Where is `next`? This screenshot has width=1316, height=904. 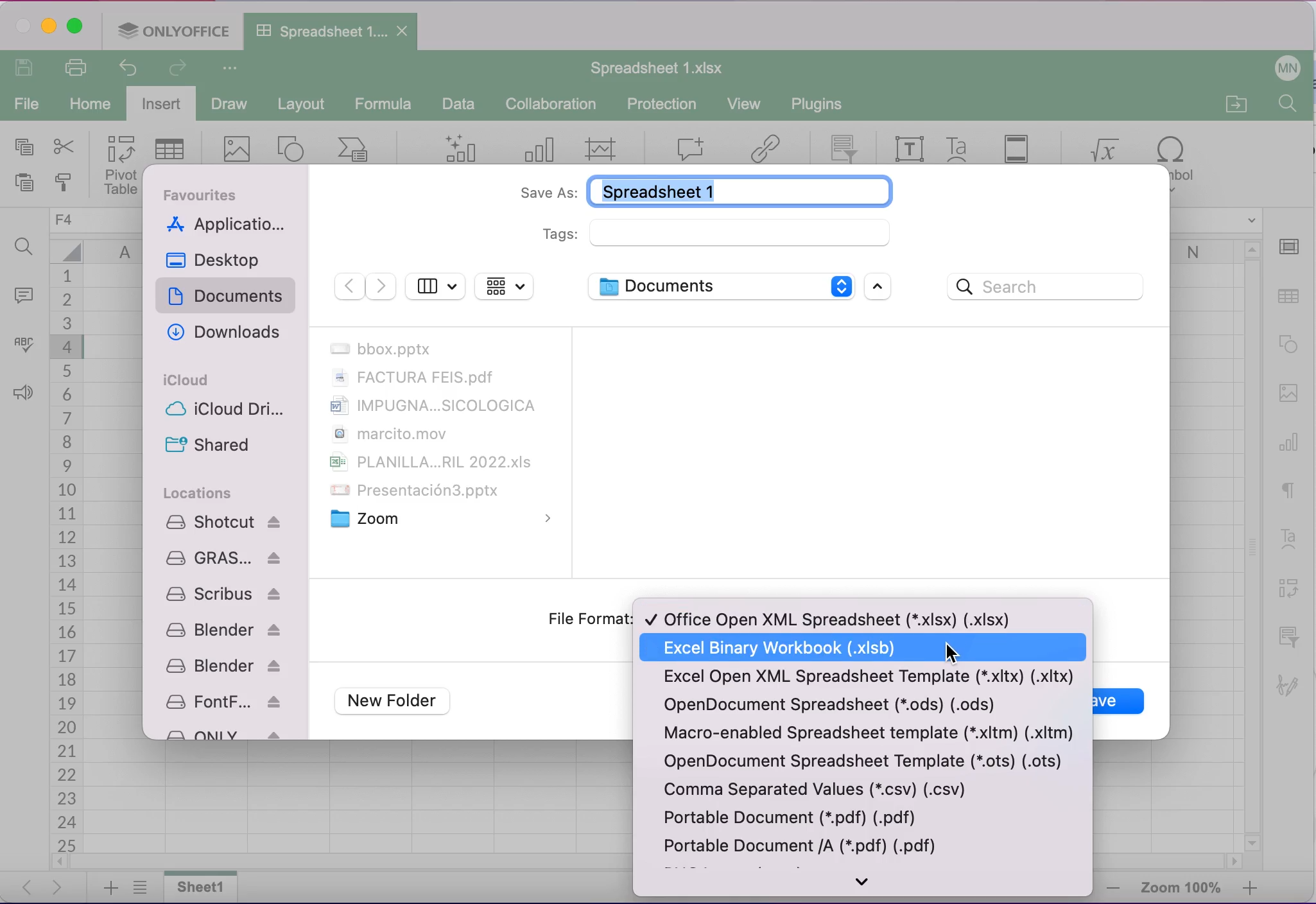 next is located at coordinates (381, 287).